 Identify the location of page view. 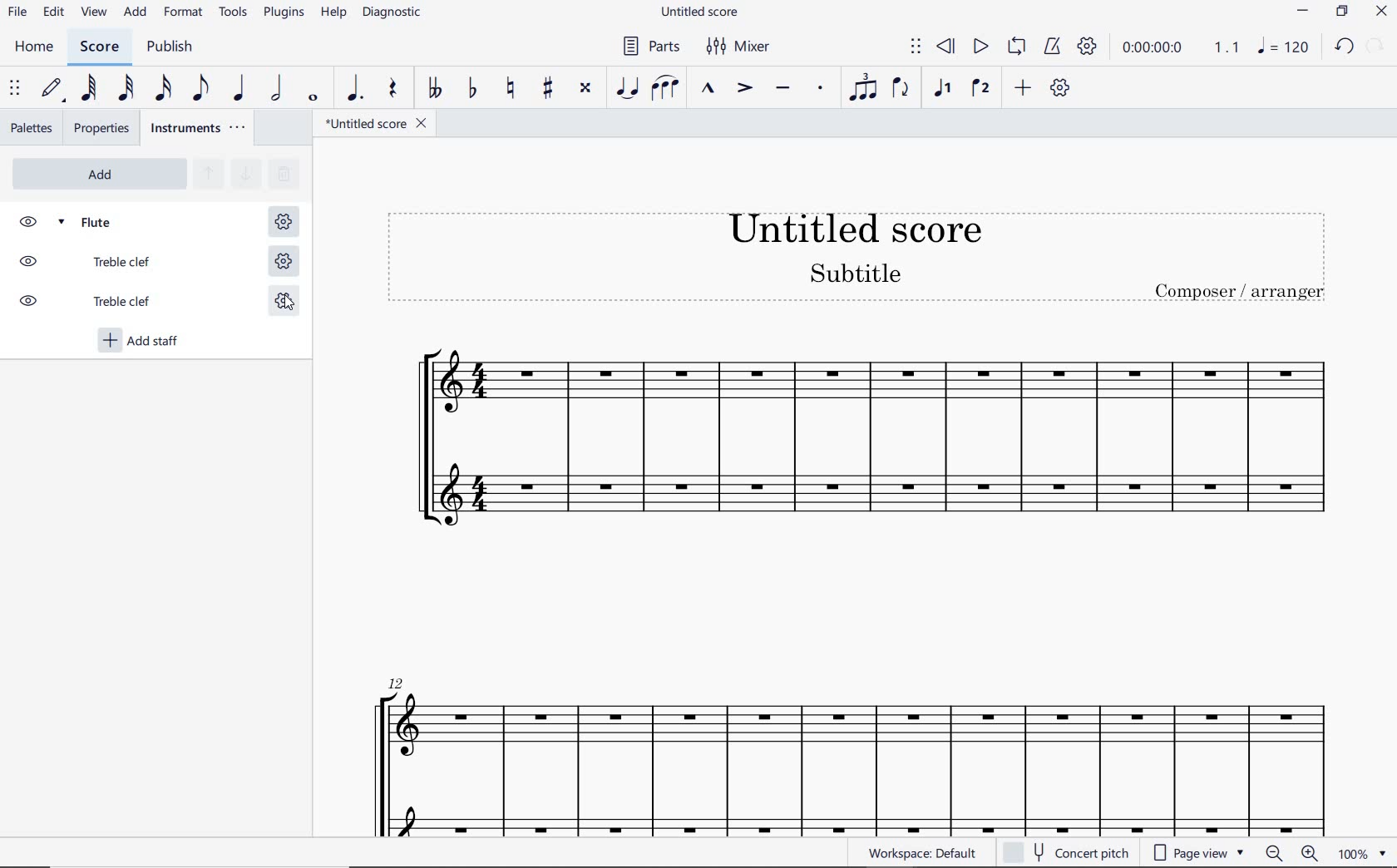
(1197, 851).